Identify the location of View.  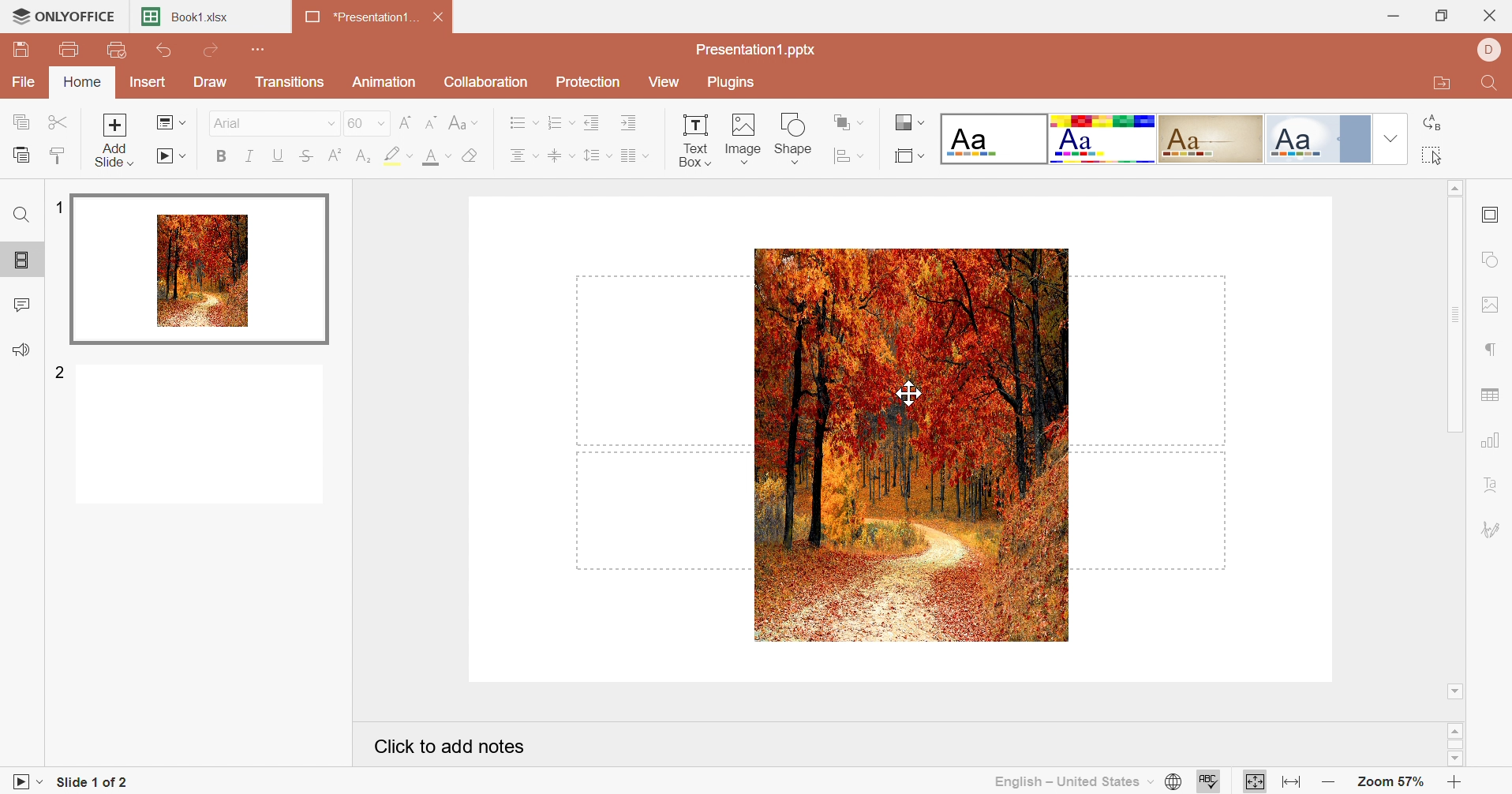
(669, 84).